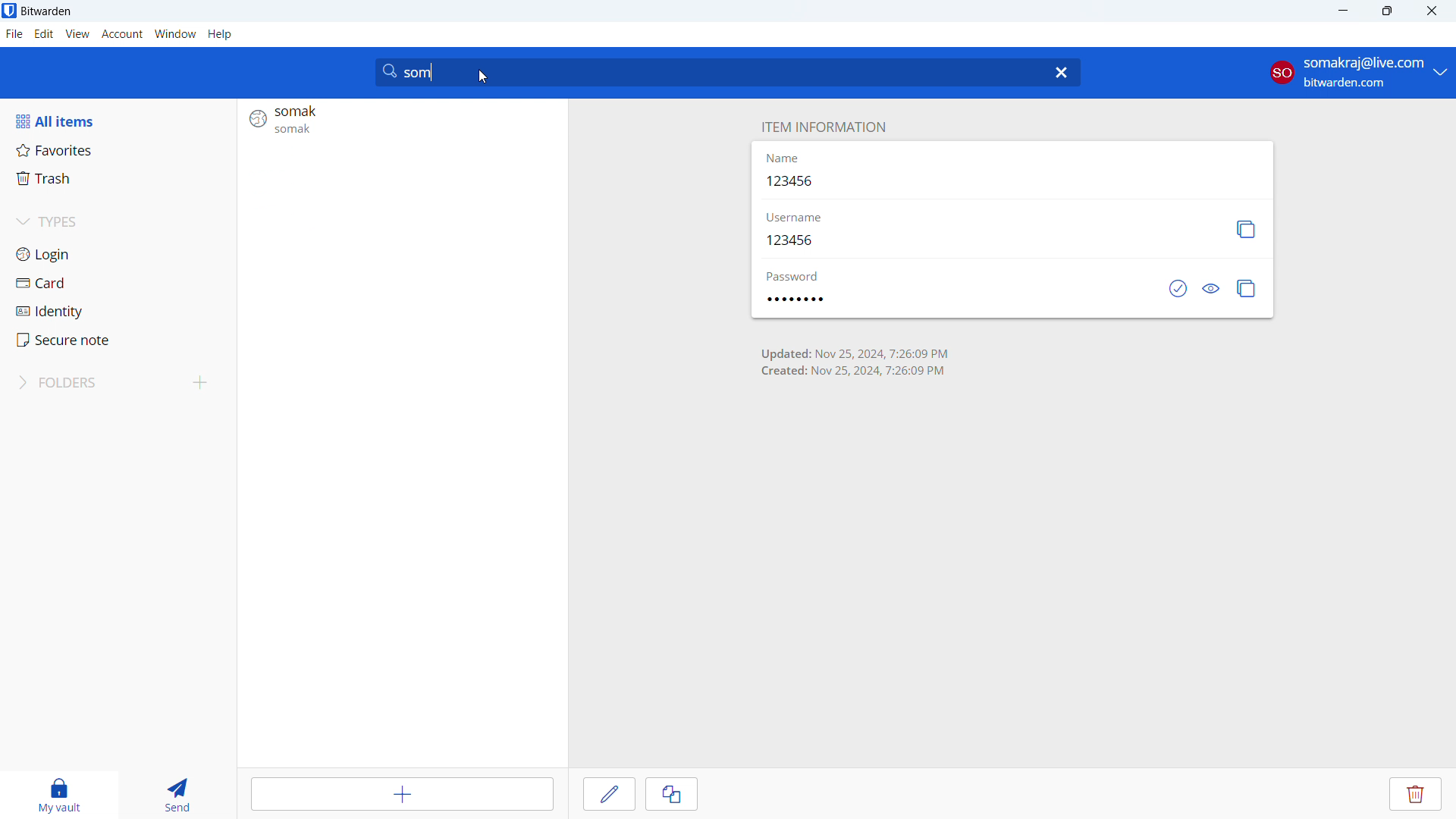 The width and height of the screenshot is (1456, 819). What do you see at coordinates (44, 34) in the screenshot?
I see `edit` at bounding box center [44, 34].